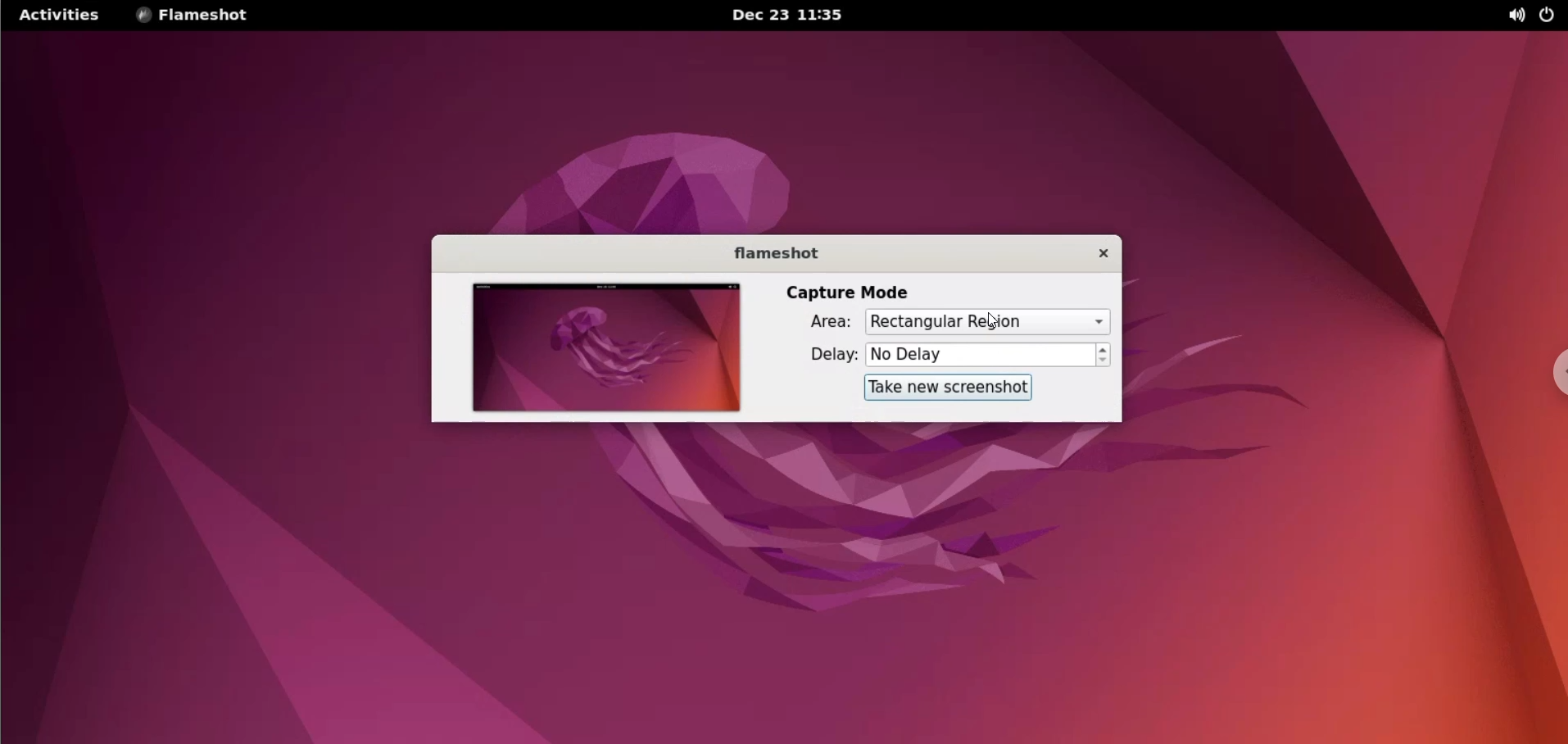 This screenshot has height=744, width=1568. I want to click on capture mode, so click(838, 293).